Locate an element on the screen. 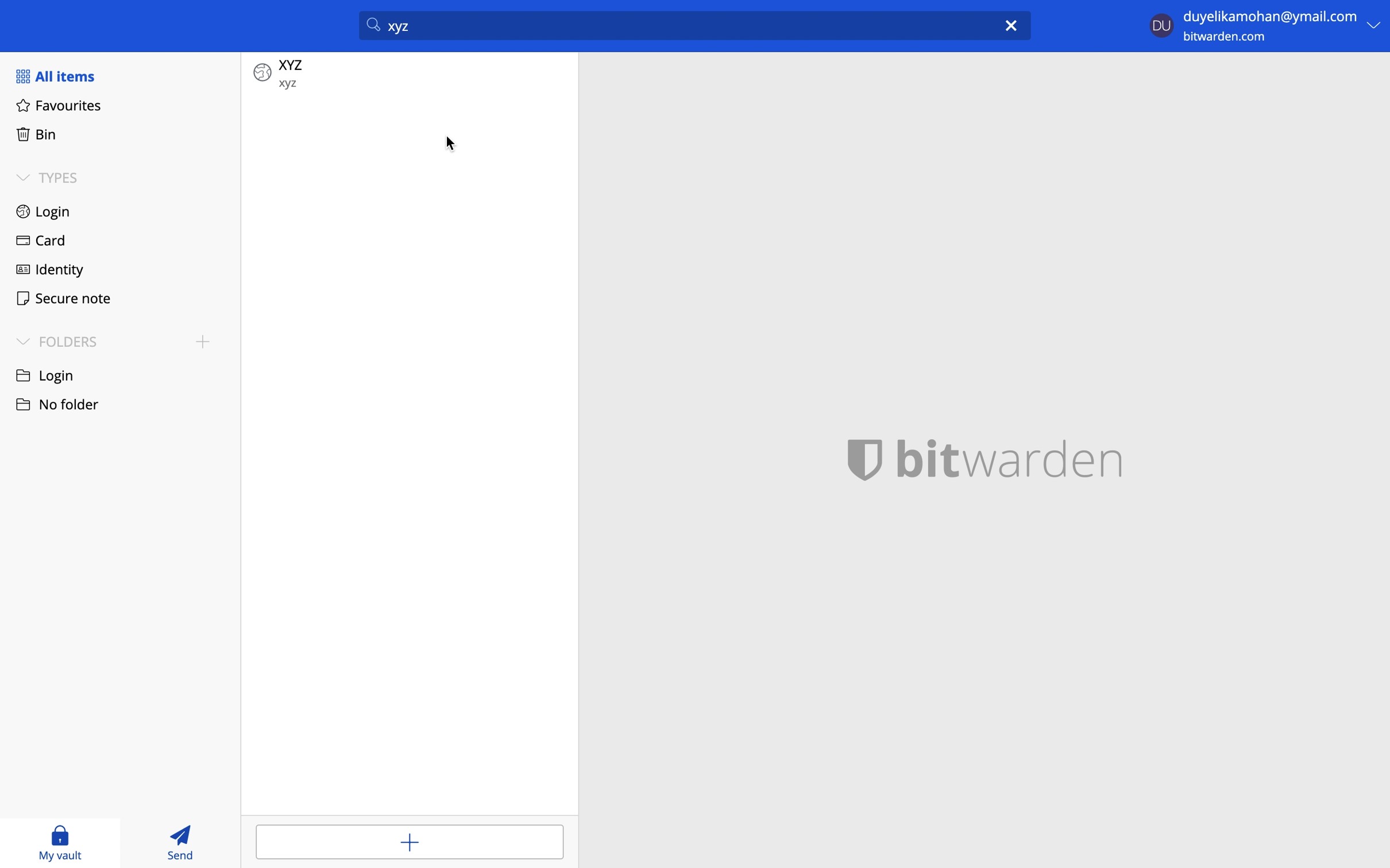 Image resolution: width=1390 pixels, height=868 pixels. all items is located at coordinates (63, 77).